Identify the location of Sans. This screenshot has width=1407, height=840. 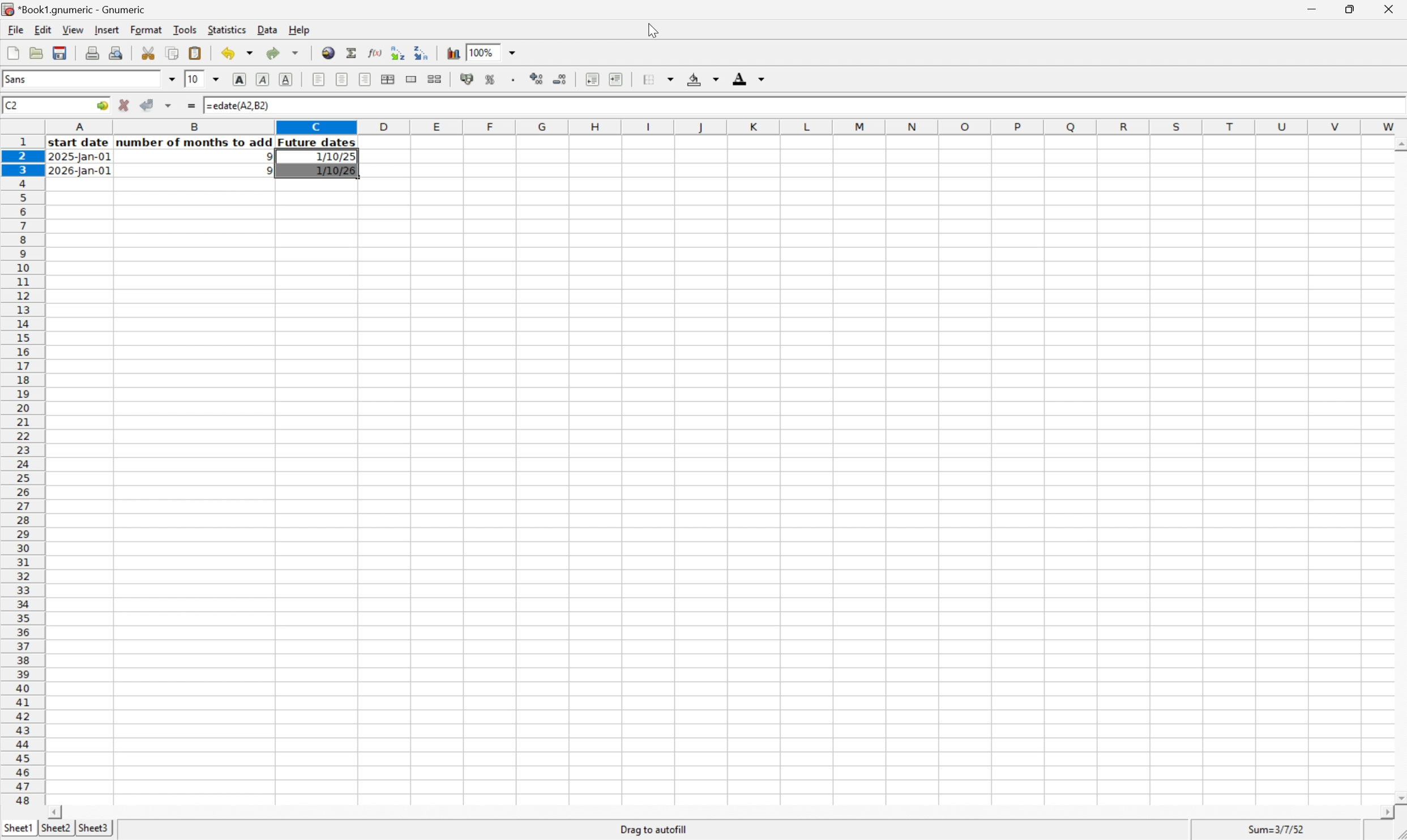
(22, 79).